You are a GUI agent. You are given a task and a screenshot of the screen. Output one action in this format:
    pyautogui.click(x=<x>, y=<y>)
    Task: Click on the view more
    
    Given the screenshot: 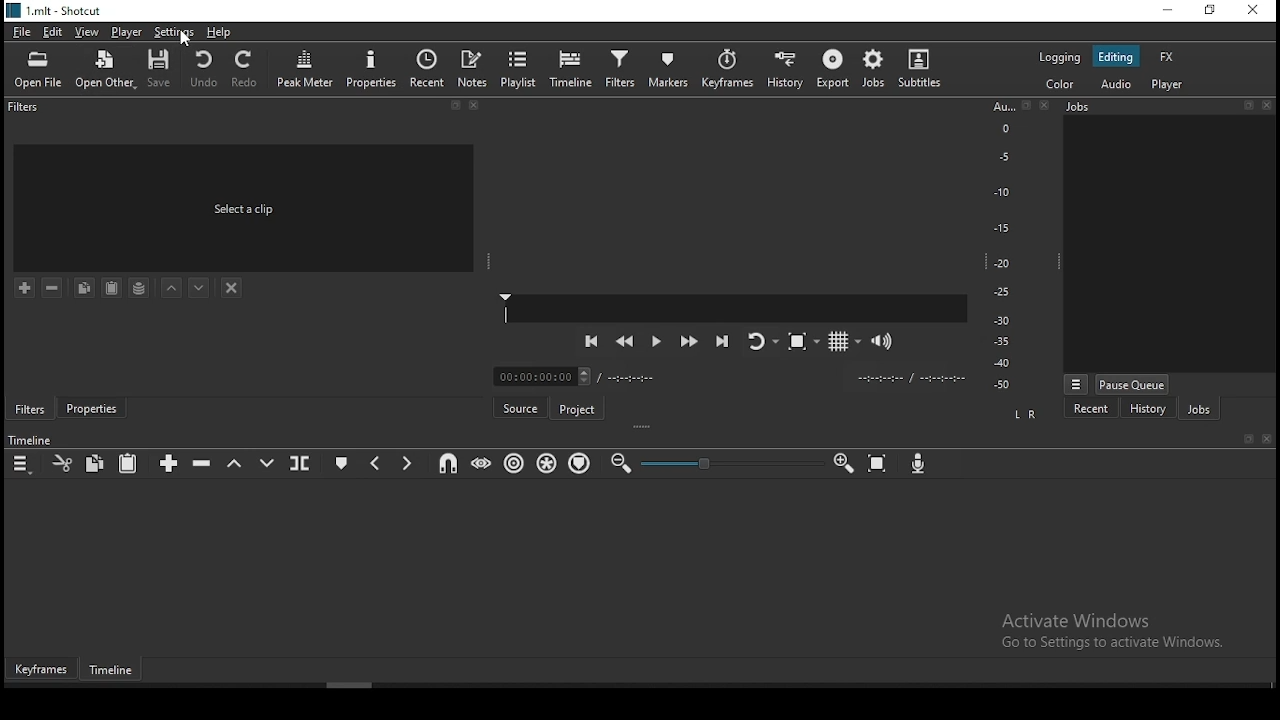 What is the action you would take?
    pyautogui.click(x=1075, y=383)
    